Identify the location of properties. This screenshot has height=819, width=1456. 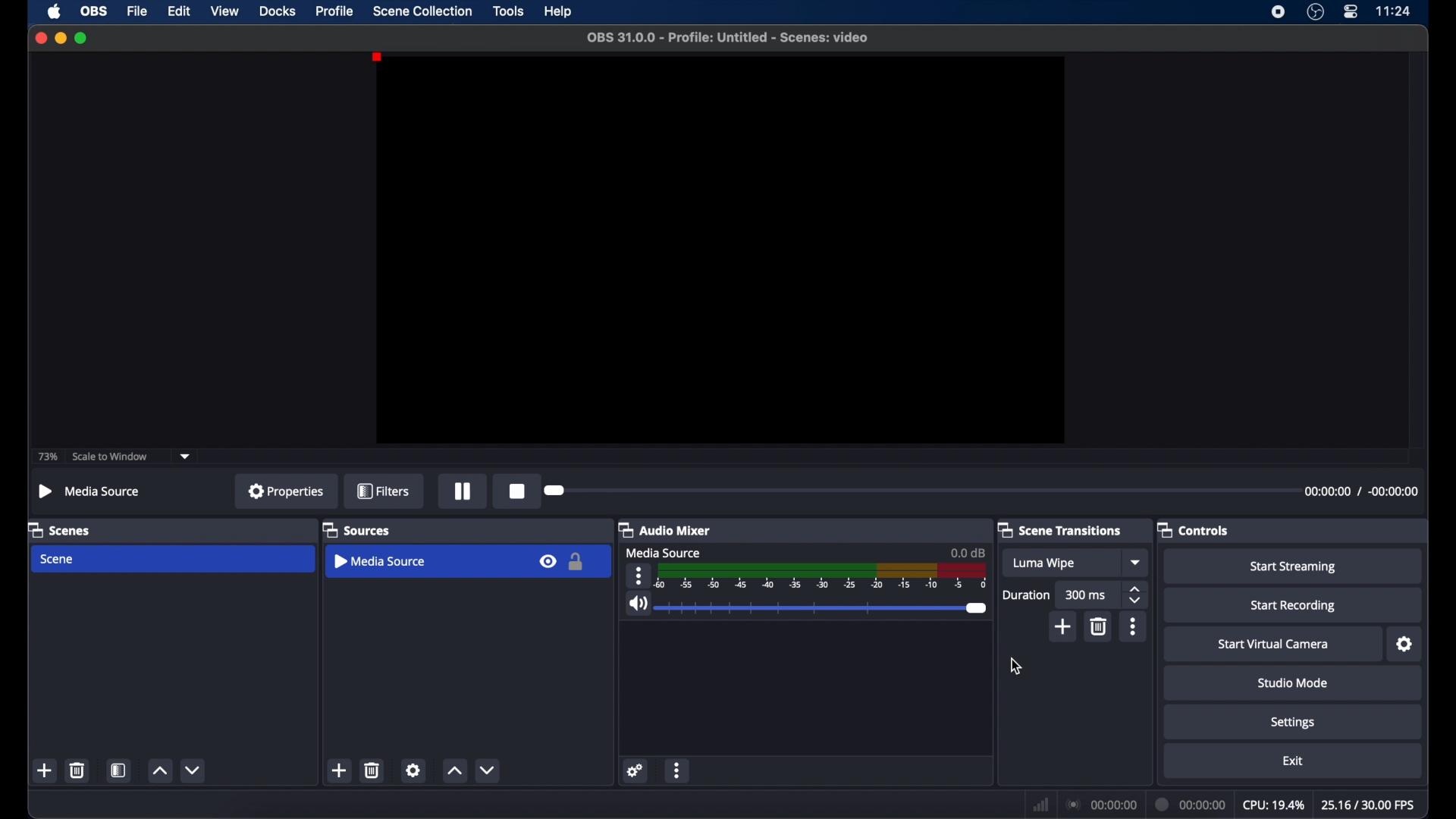
(286, 491).